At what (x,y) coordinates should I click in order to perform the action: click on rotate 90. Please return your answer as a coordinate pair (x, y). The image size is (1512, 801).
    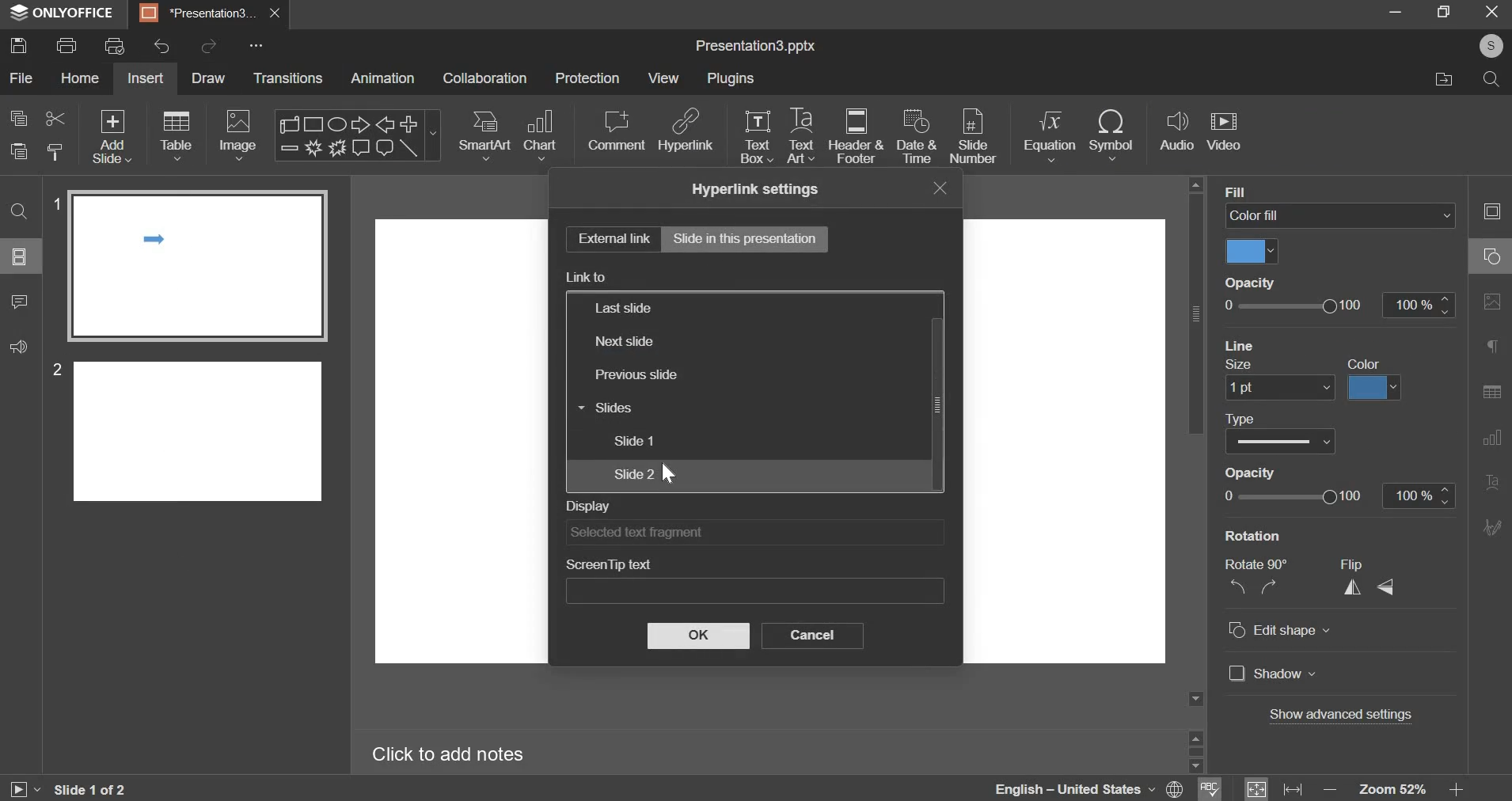
    Looking at the image, I should click on (1256, 564).